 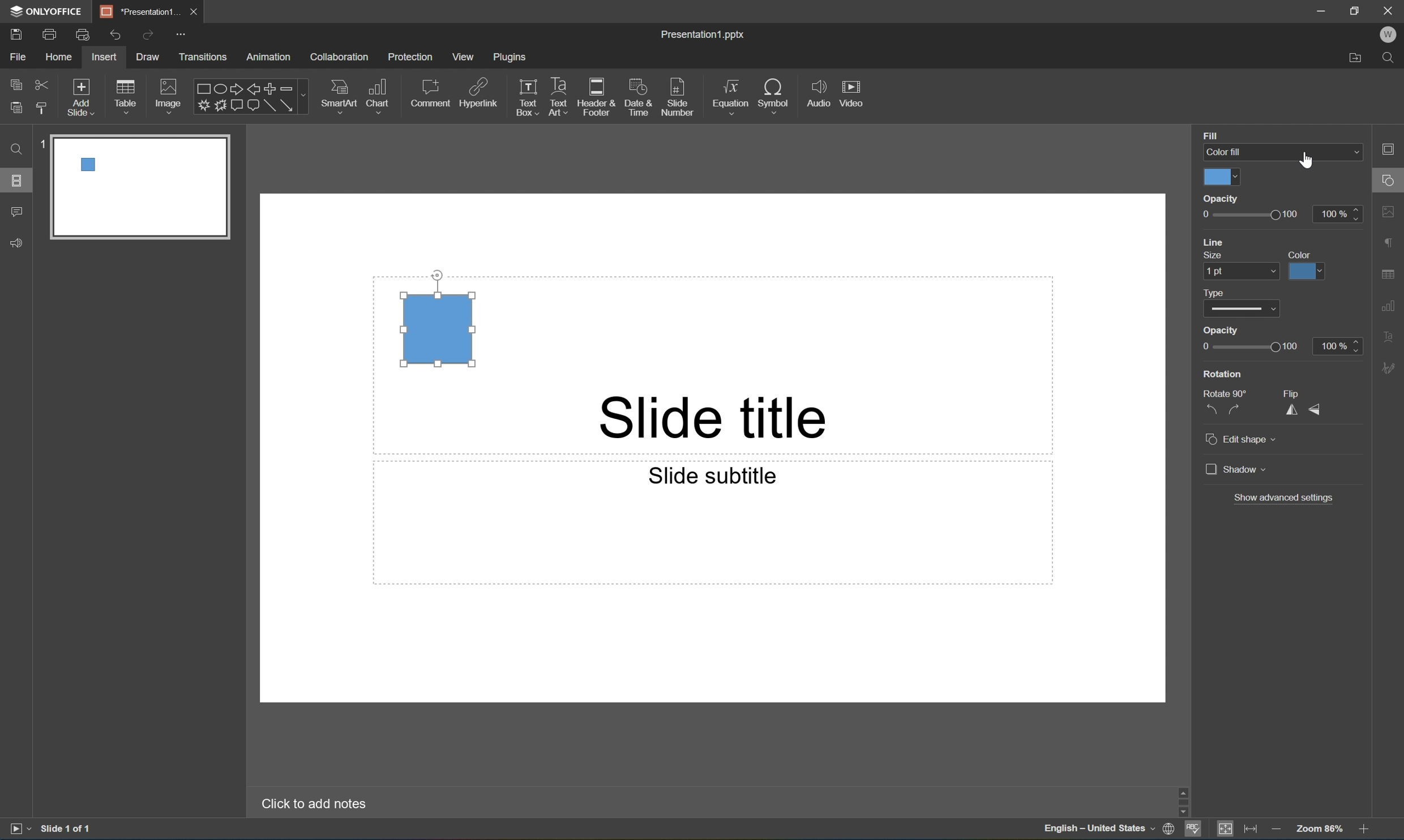 I want to click on 1 pt, so click(x=1215, y=272).